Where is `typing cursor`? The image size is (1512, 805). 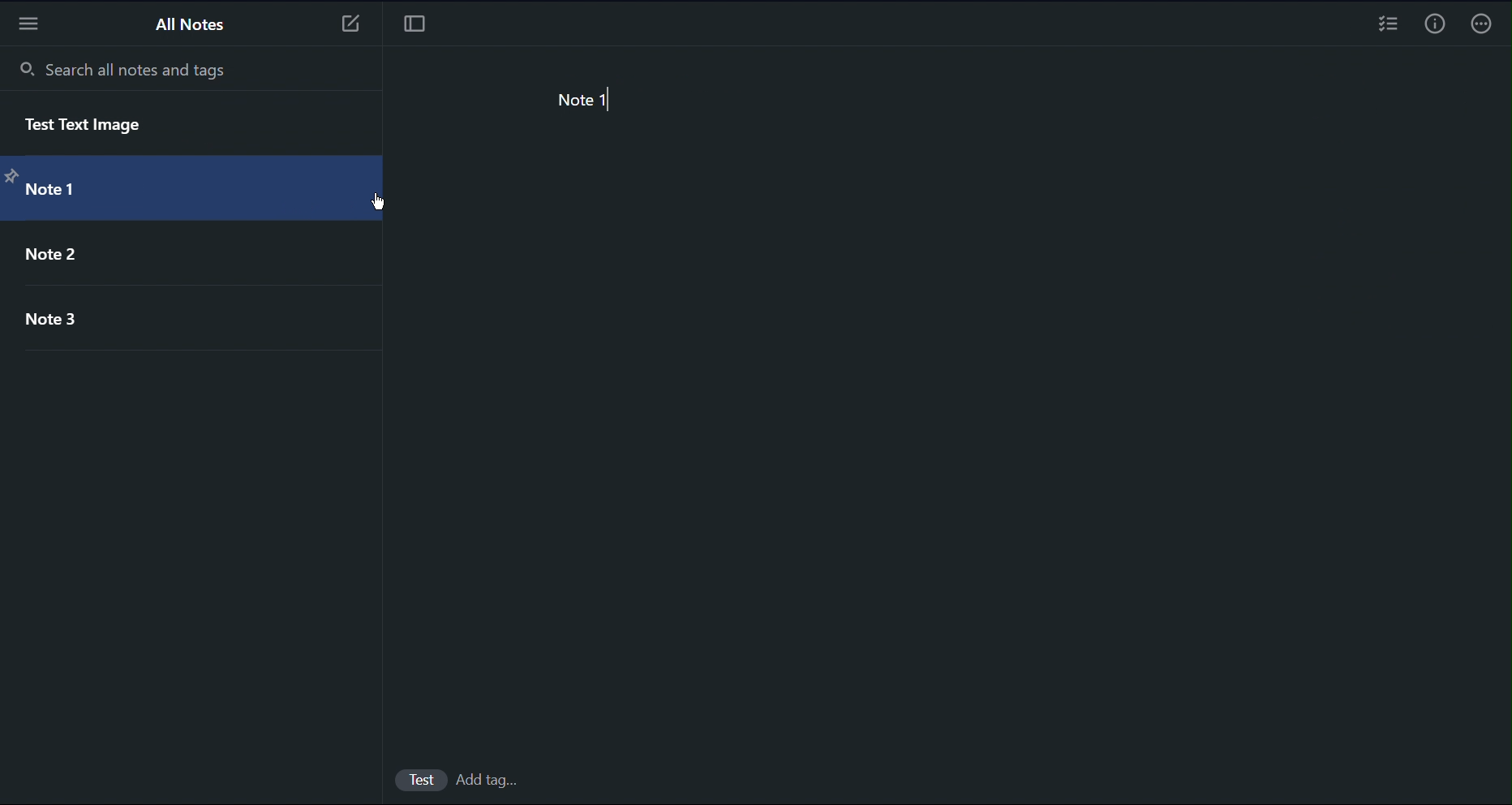 typing cursor is located at coordinates (613, 101).